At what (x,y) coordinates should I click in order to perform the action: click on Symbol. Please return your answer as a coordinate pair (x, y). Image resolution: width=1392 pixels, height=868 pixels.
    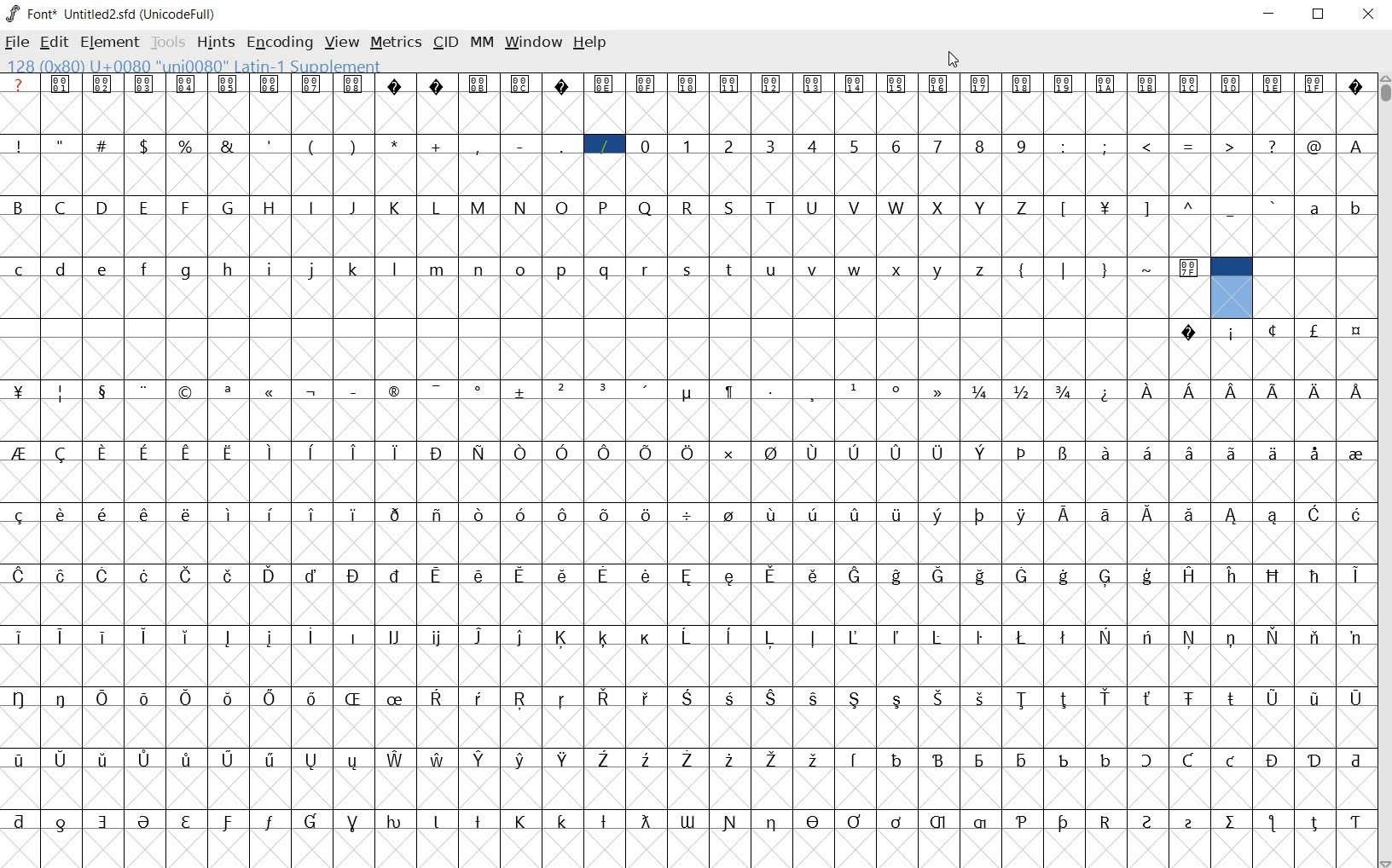
    Looking at the image, I should click on (357, 761).